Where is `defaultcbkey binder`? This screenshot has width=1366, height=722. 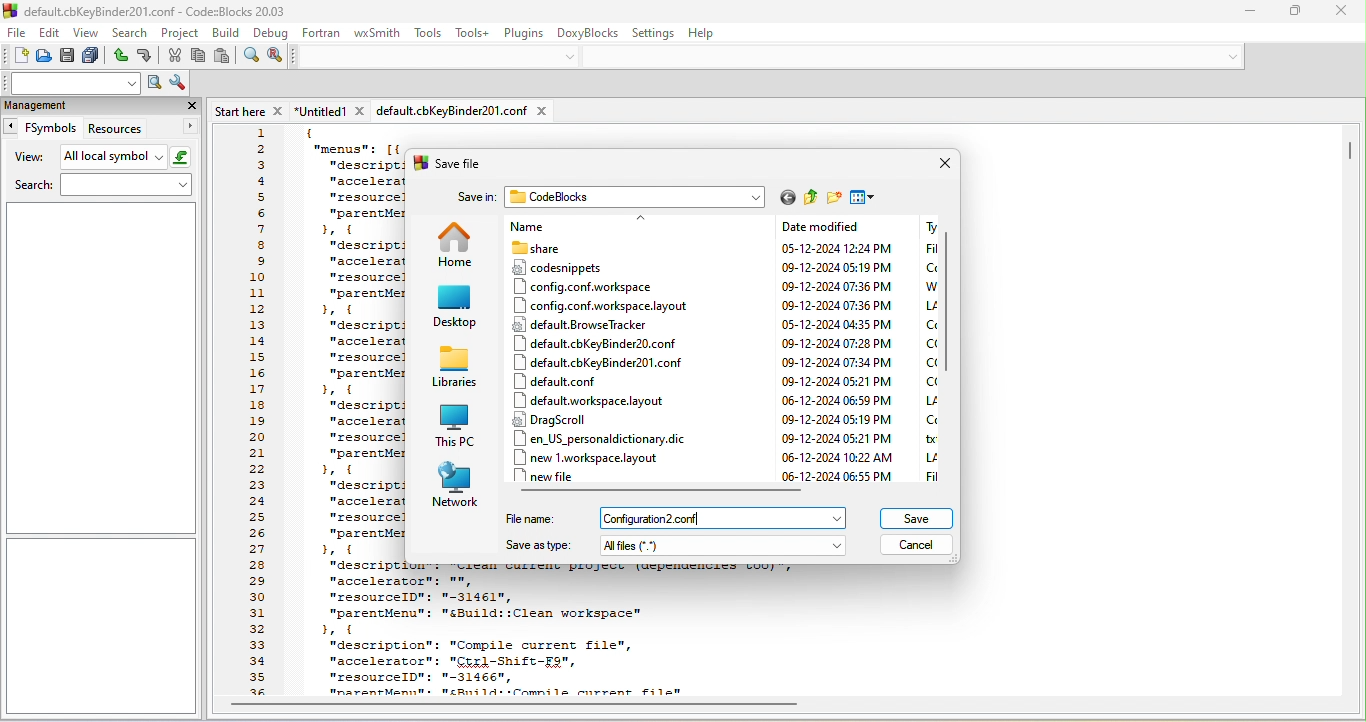 defaultcbkey binder is located at coordinates (462, 111).